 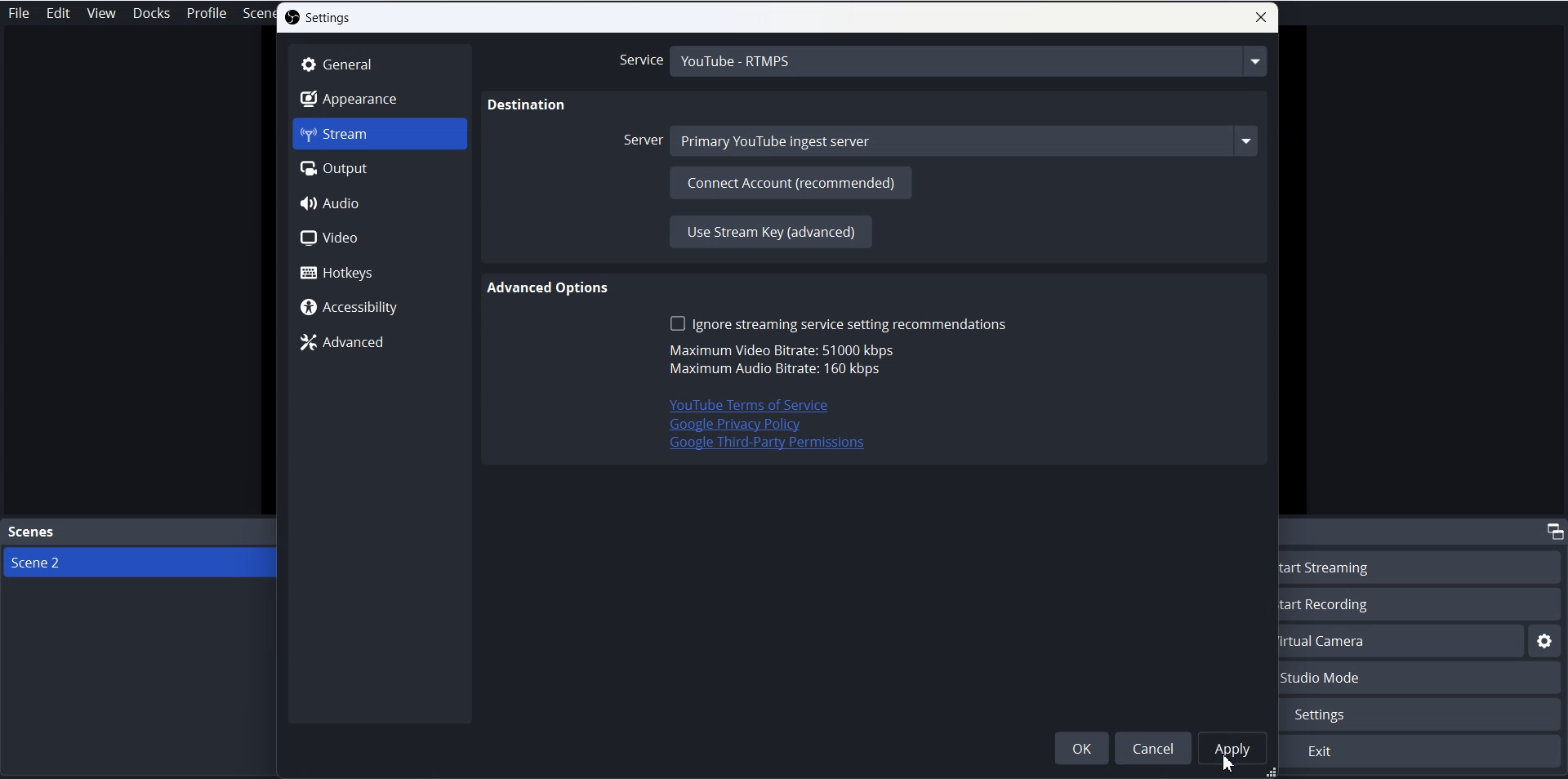 What do you see at coordinates (550, 288) in the screenshot?
I see `Advanced options` at bounding box center [550, 288].